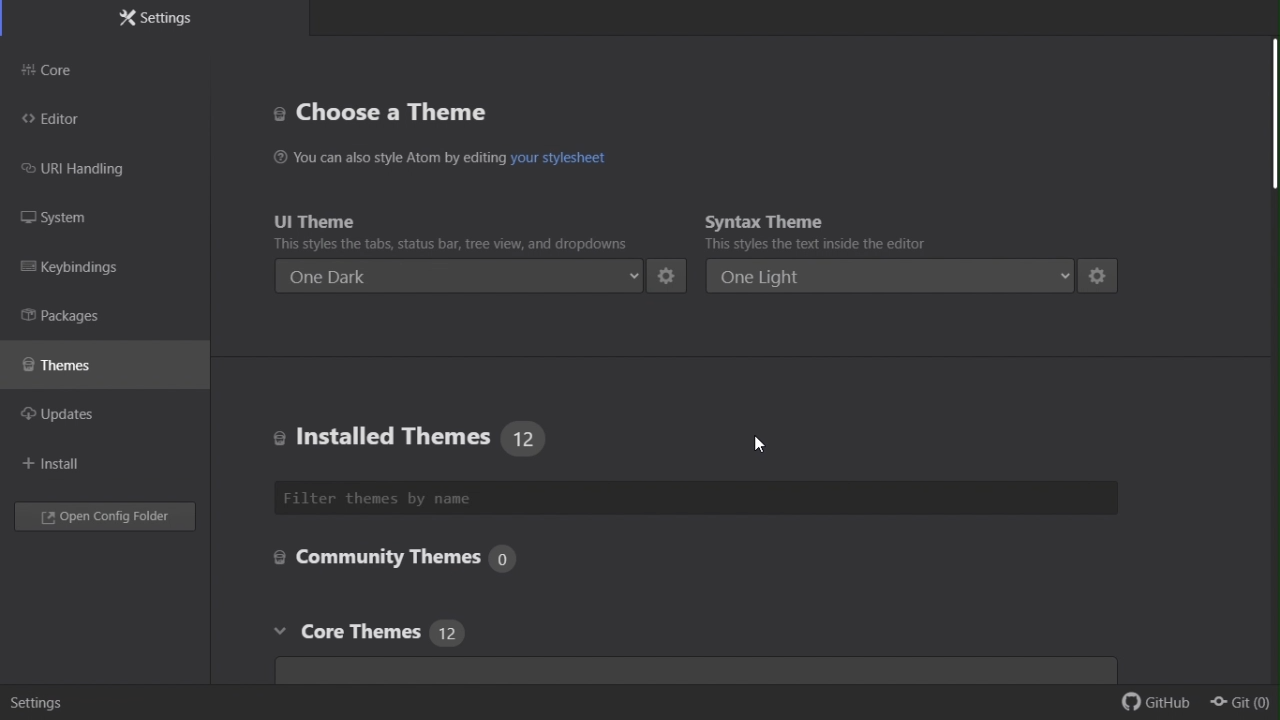  What do you see at coordinates (668, 275) in the screenshot?
I see `settings` at bounding box center [668, 275].